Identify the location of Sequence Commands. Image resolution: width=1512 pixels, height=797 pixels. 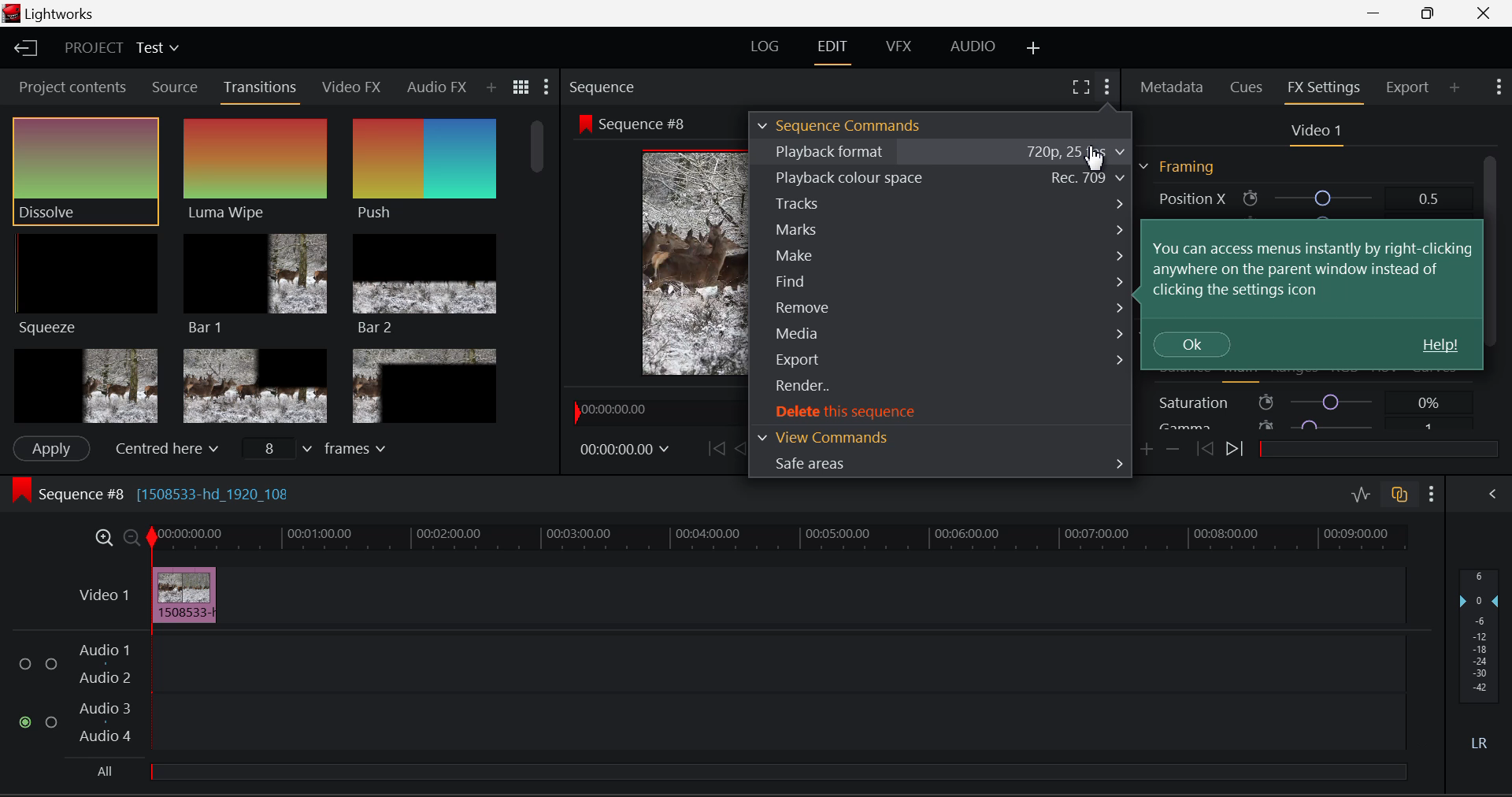
(841, 124).